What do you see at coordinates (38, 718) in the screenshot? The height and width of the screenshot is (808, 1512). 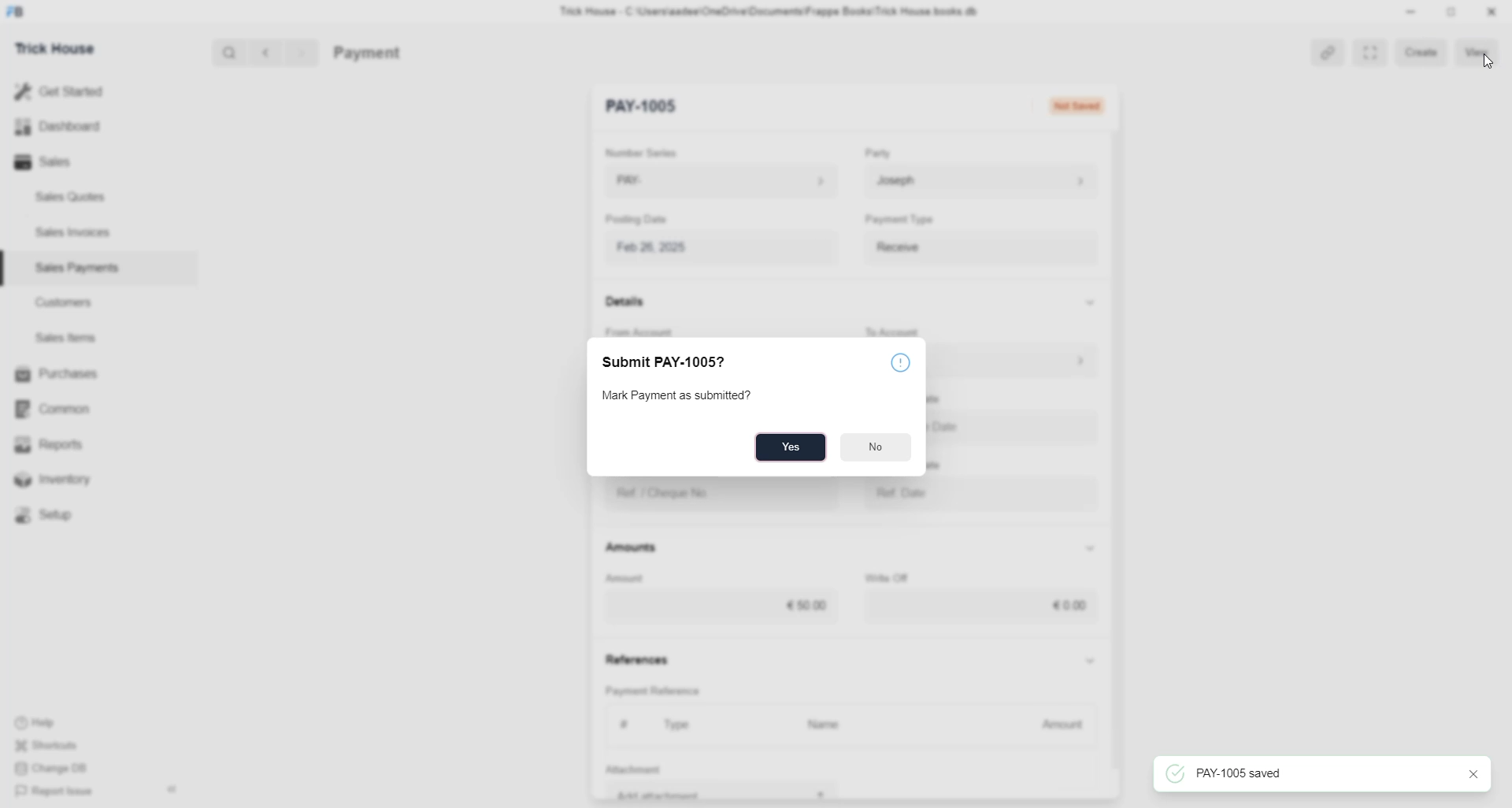 I see `Help` at bounding box center [38, 718].